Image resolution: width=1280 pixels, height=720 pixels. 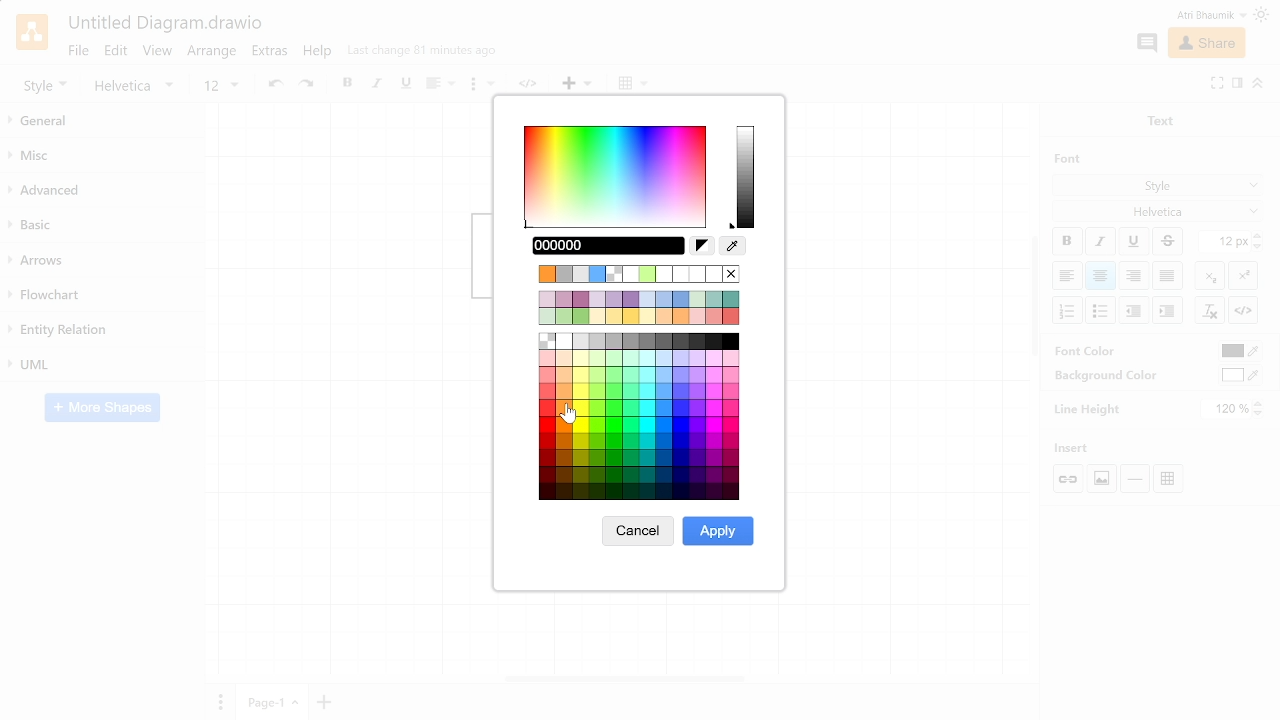 What do you see at coordinates (1261, 415) in the screenshot?
I see `Decrease line height` at bounding box center [1261, 415].